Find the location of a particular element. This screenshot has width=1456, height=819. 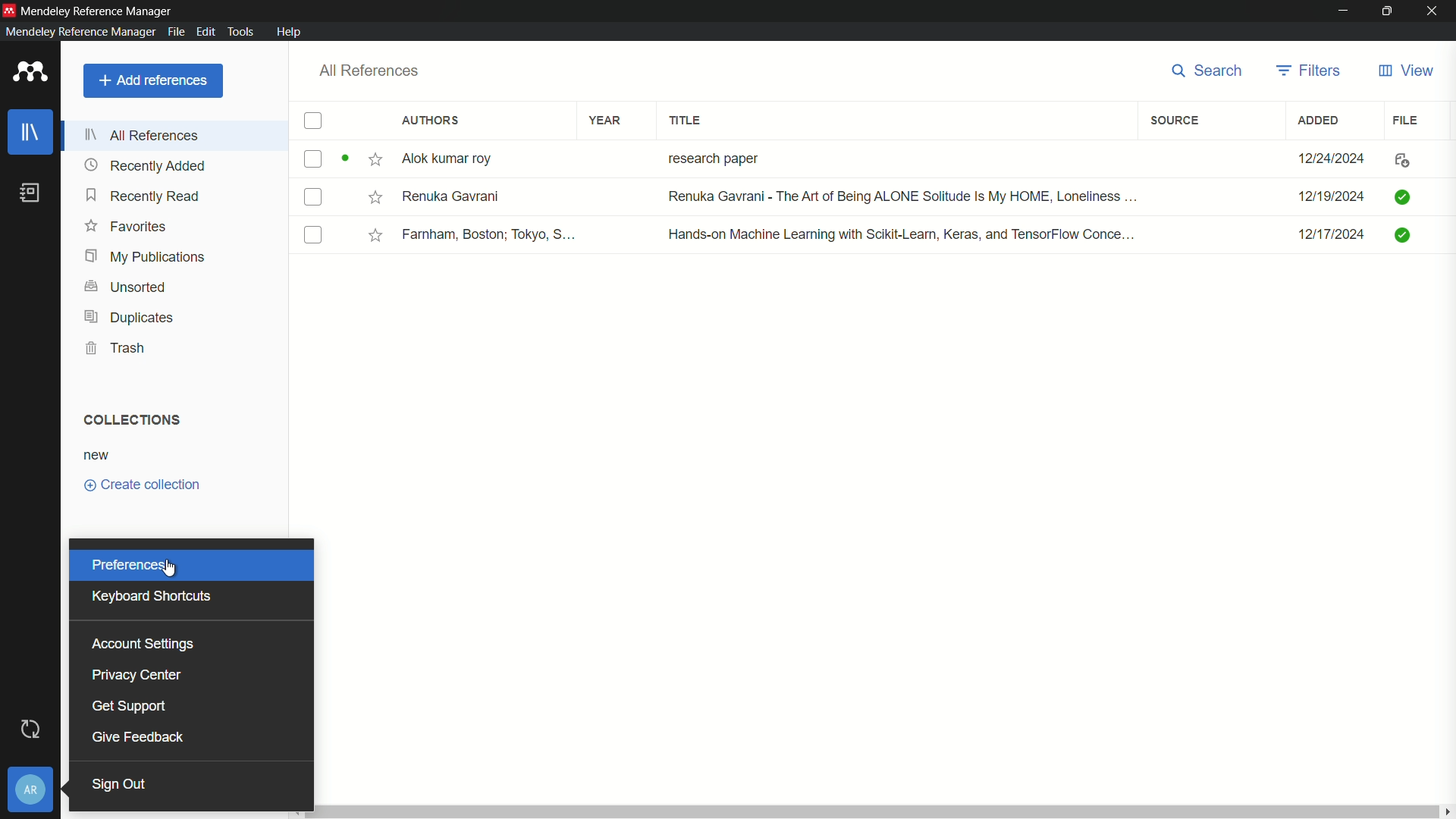

book-1 is located at coordinates (916, 158).